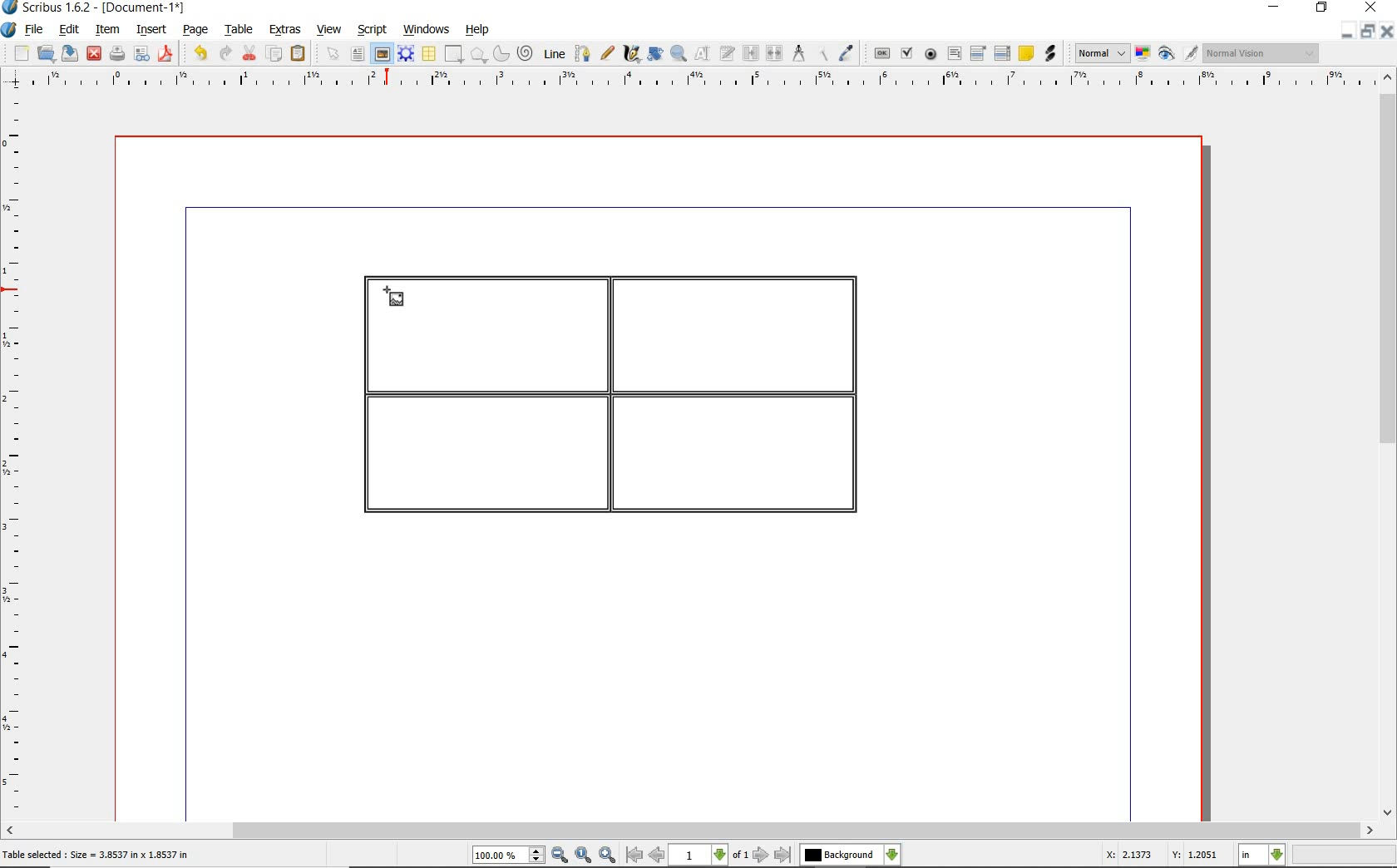 This screenshot has width=1397, height=868. What do you see at coordinates (555, 52) in the screenshot?
I see `line` at bounding box center [555, 52].